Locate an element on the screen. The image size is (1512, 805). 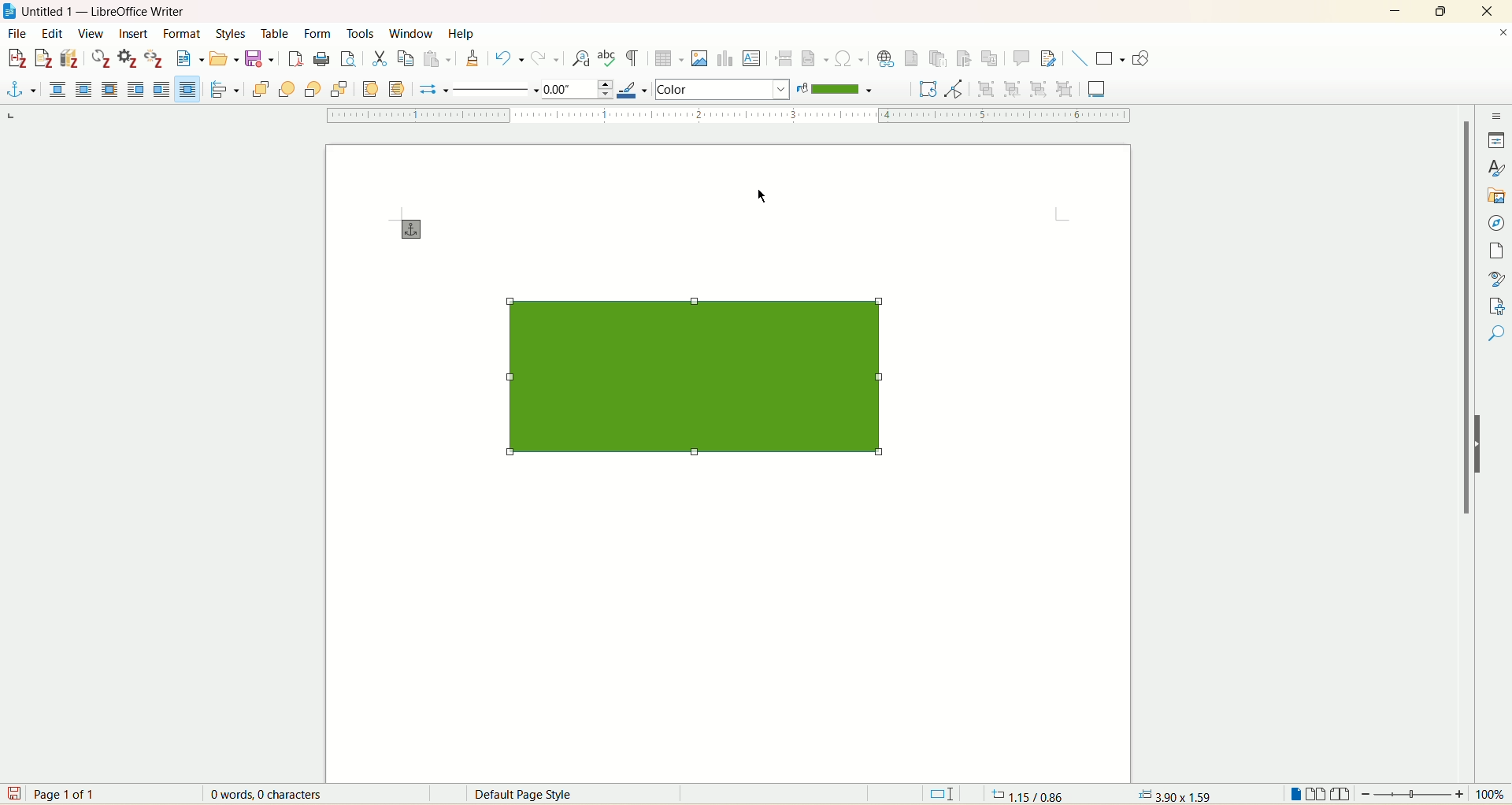
insert textbox is located at coordinates (754, 58).